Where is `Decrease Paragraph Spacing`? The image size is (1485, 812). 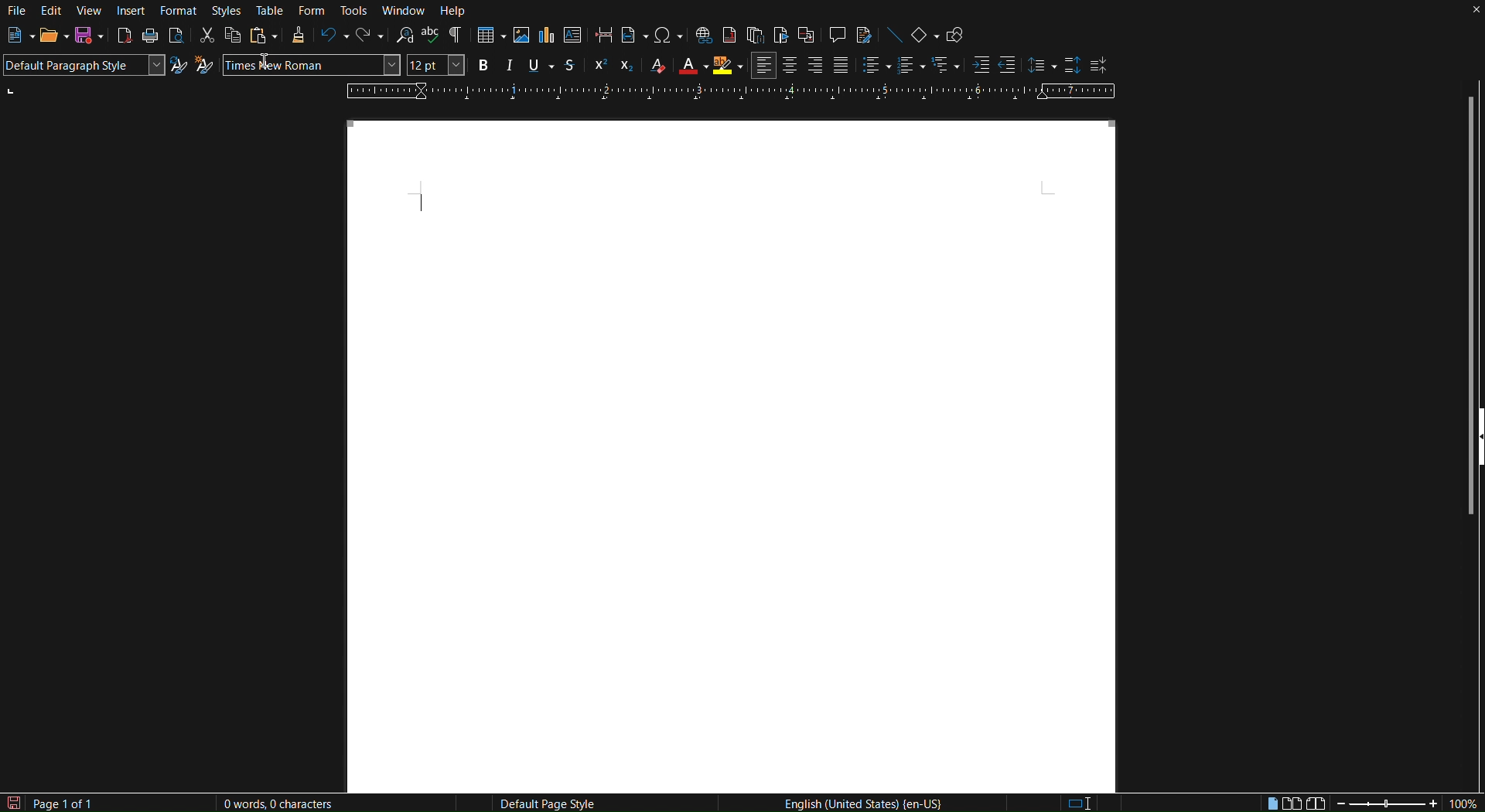
Decrease Paragraph Spacing is located at coordinates (1100, 66).